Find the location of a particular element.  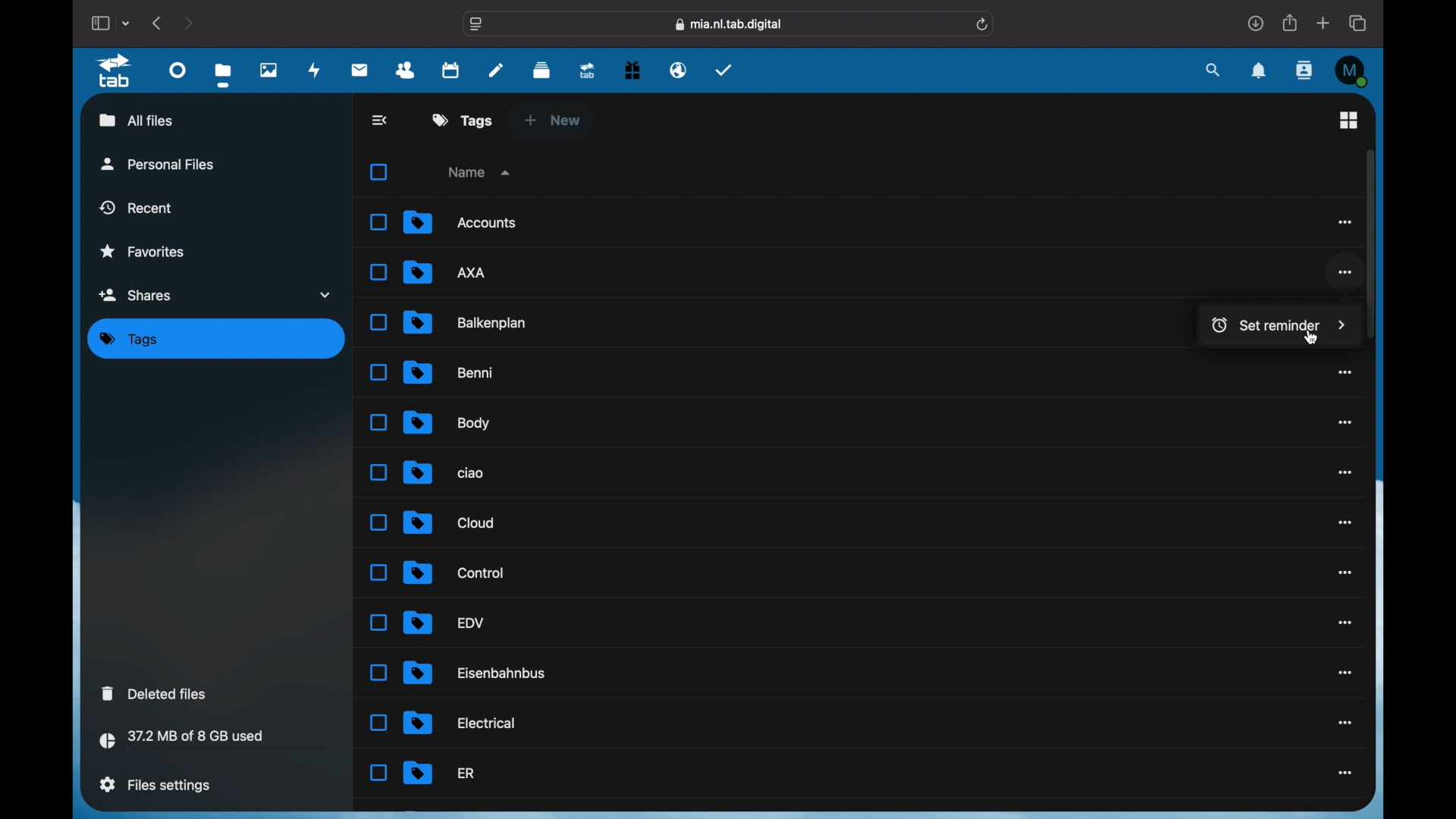

mail is located at coordinates (360, 69).